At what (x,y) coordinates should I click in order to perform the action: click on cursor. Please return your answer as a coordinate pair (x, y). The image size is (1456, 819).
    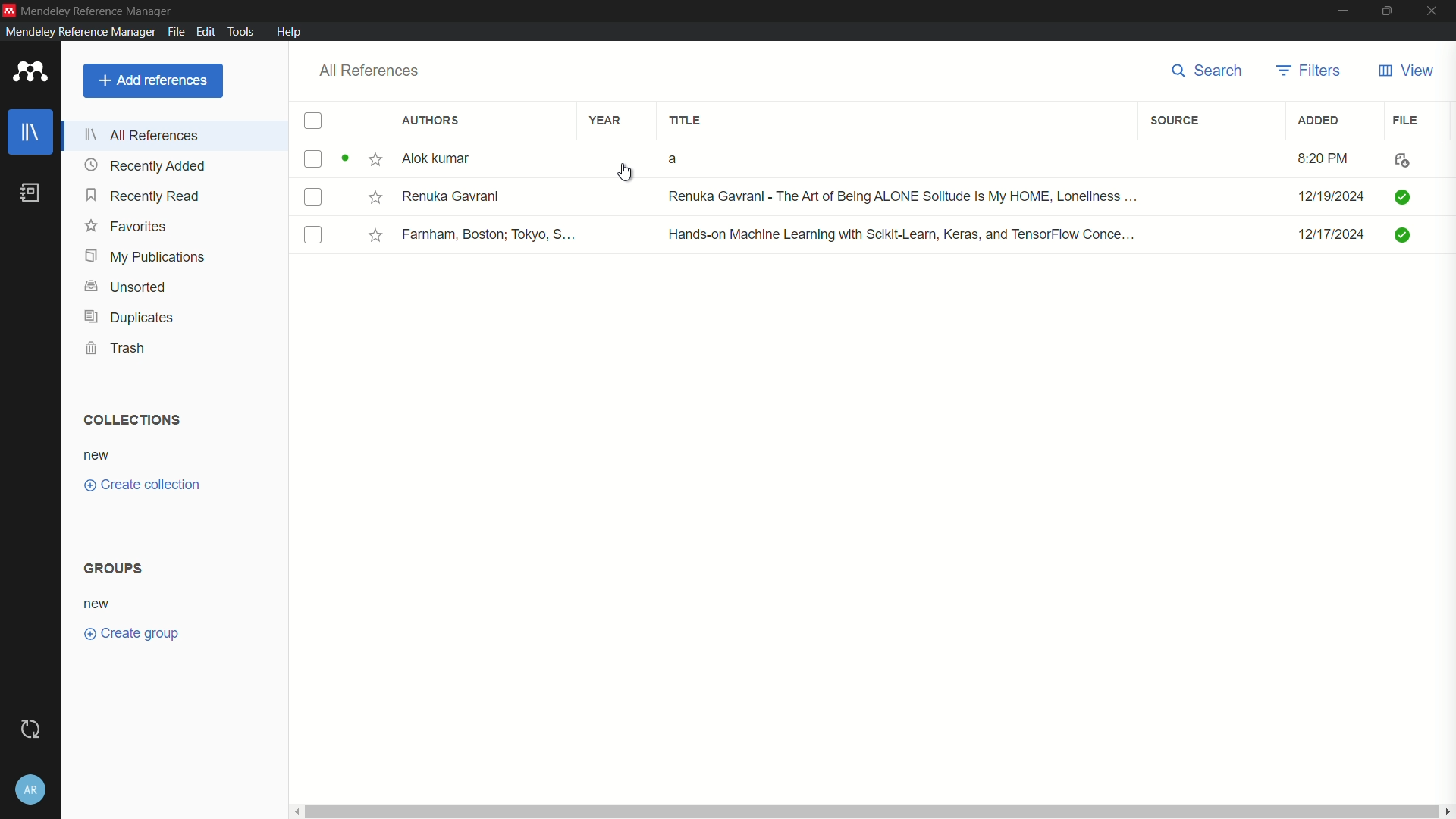
    Looking at the image, I should click on (625, 171).